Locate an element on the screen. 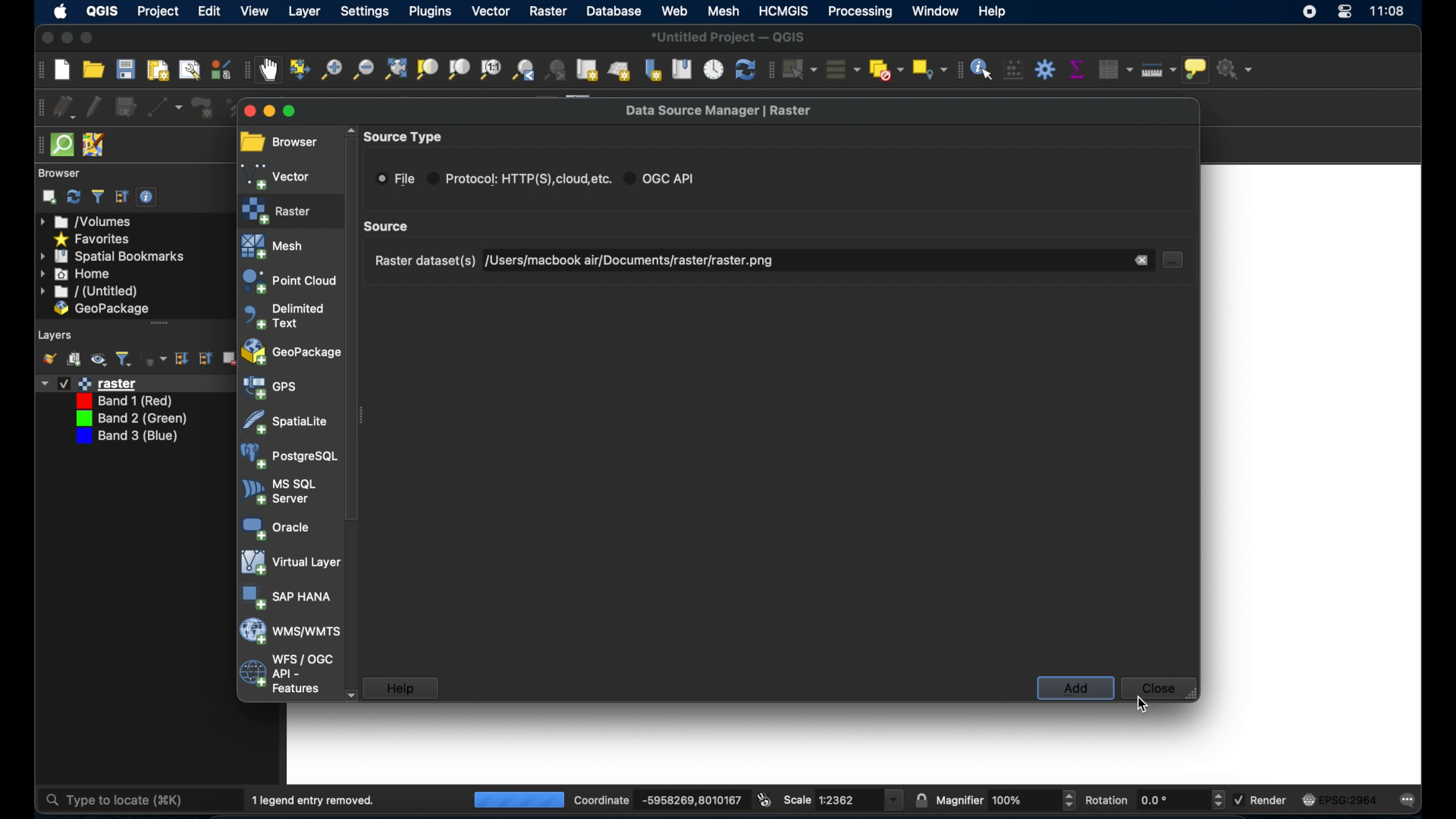 This screenshot has height=819, width=1456. quicksom is located at coordinates (62, 145).